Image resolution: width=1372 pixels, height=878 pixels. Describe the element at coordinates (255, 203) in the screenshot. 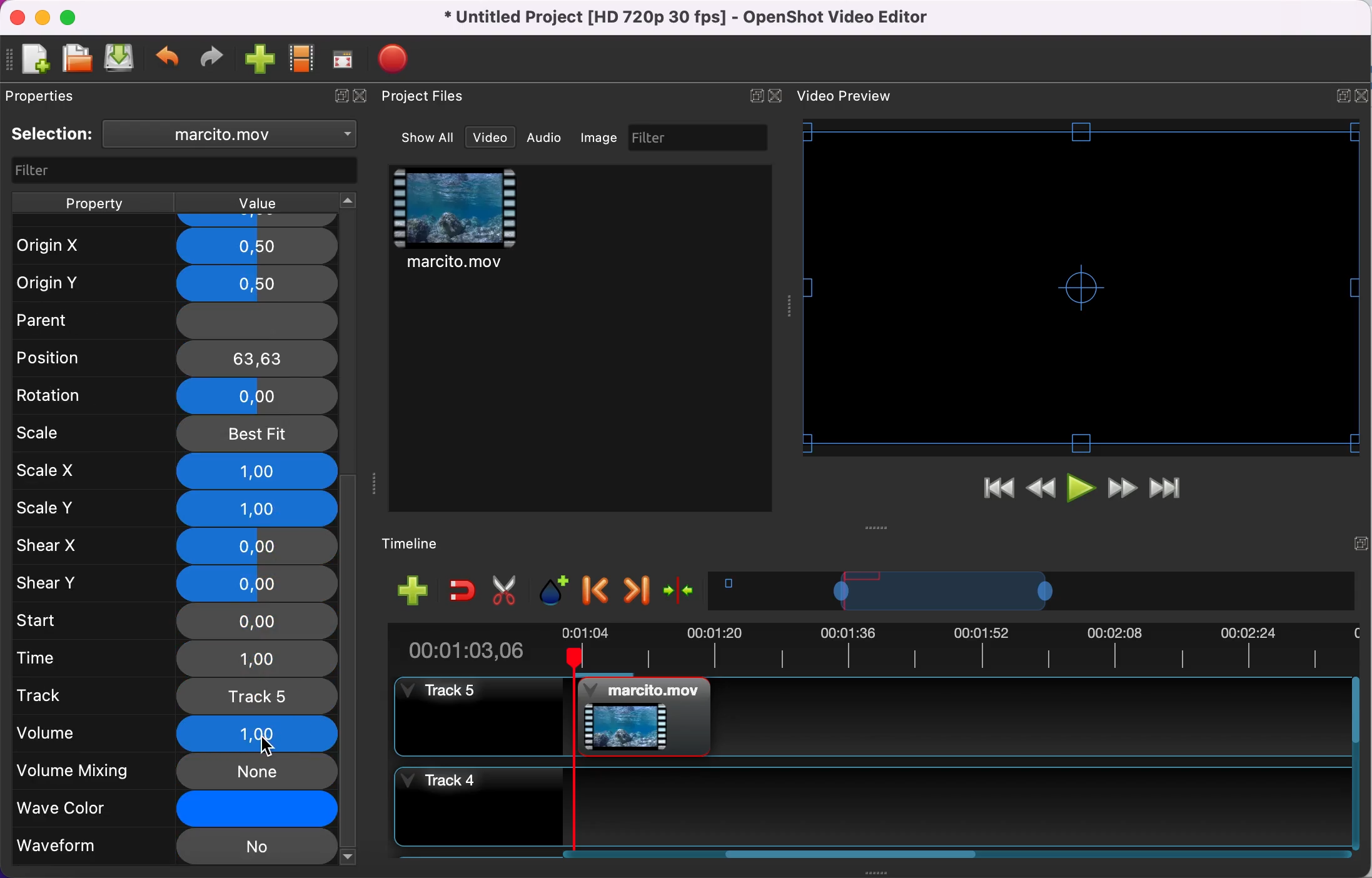

I see `value` at that location.